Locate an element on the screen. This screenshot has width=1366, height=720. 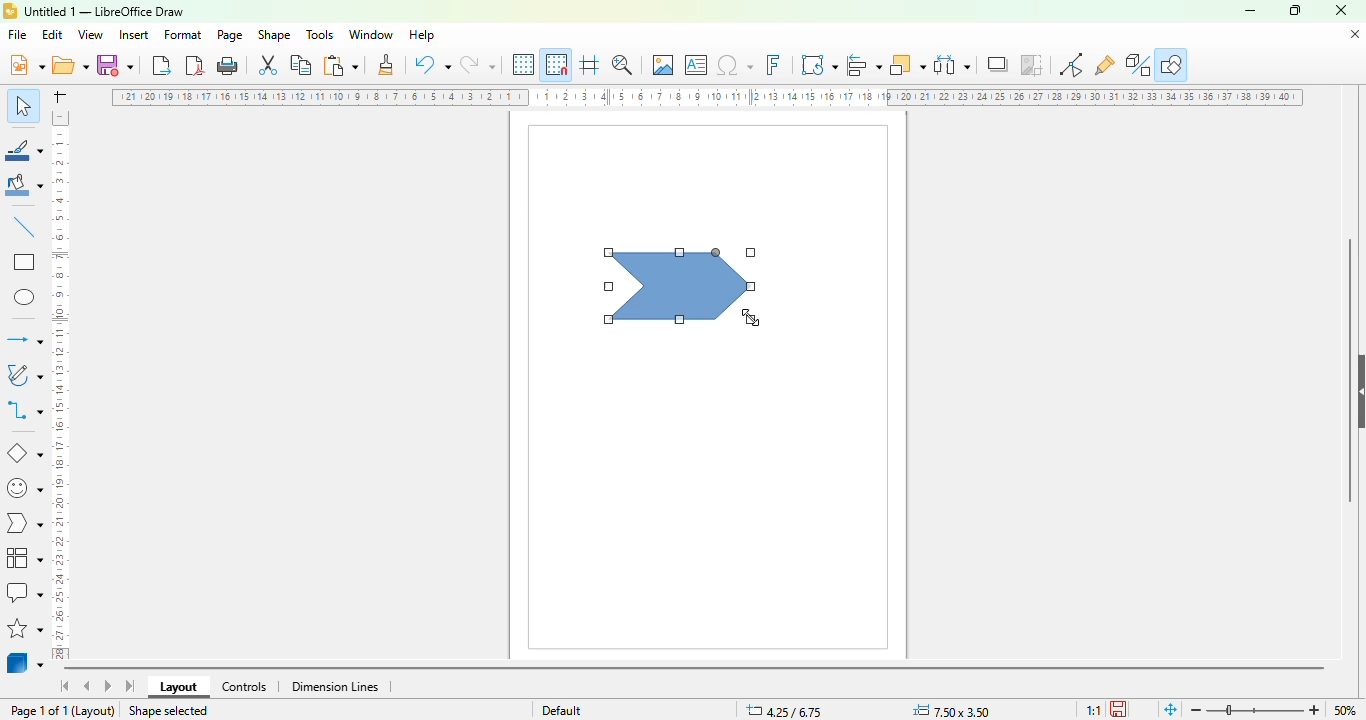
block arrows is located at coordinates (23, 525).